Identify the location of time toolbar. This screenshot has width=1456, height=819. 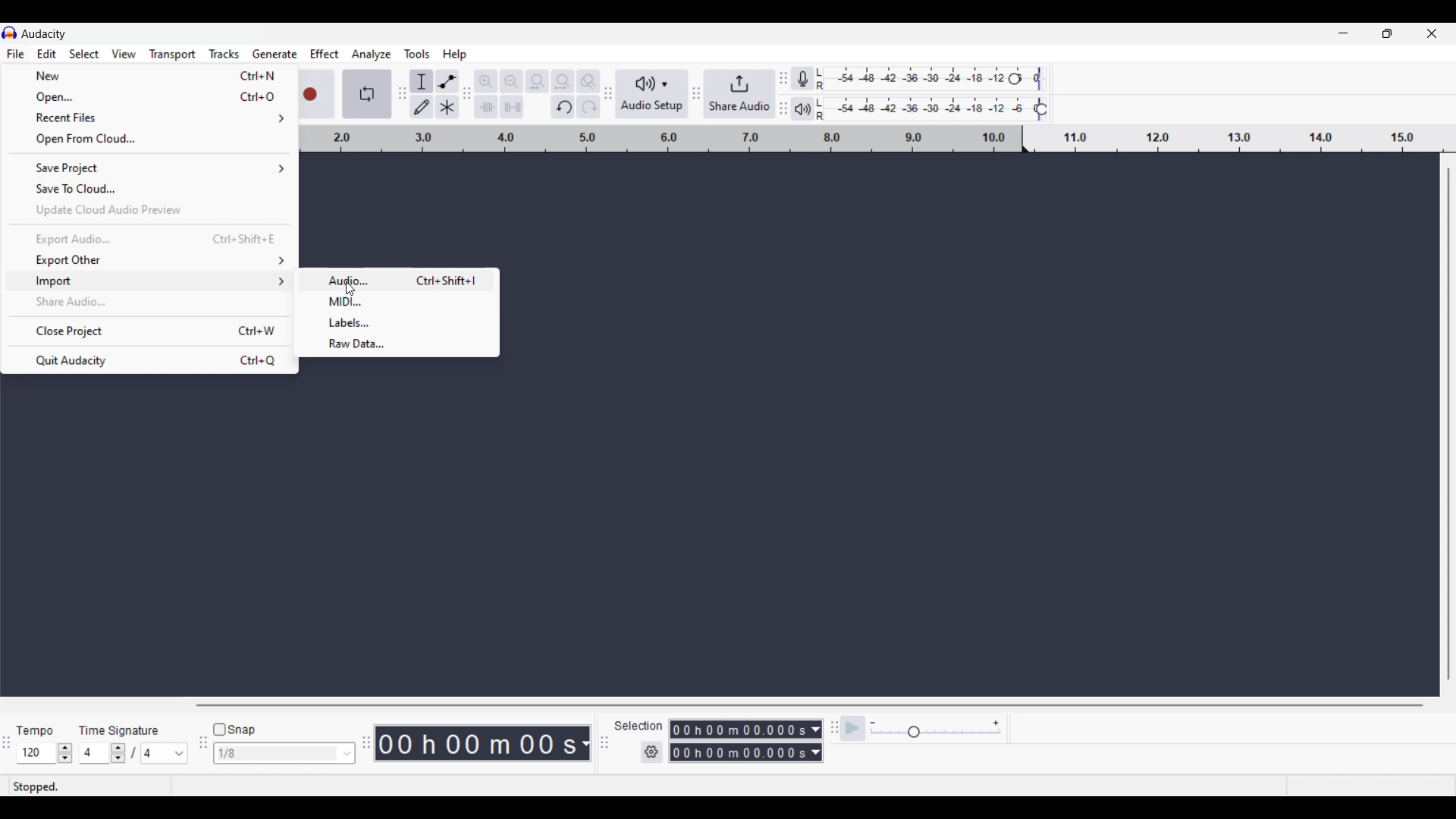
(368, 748).